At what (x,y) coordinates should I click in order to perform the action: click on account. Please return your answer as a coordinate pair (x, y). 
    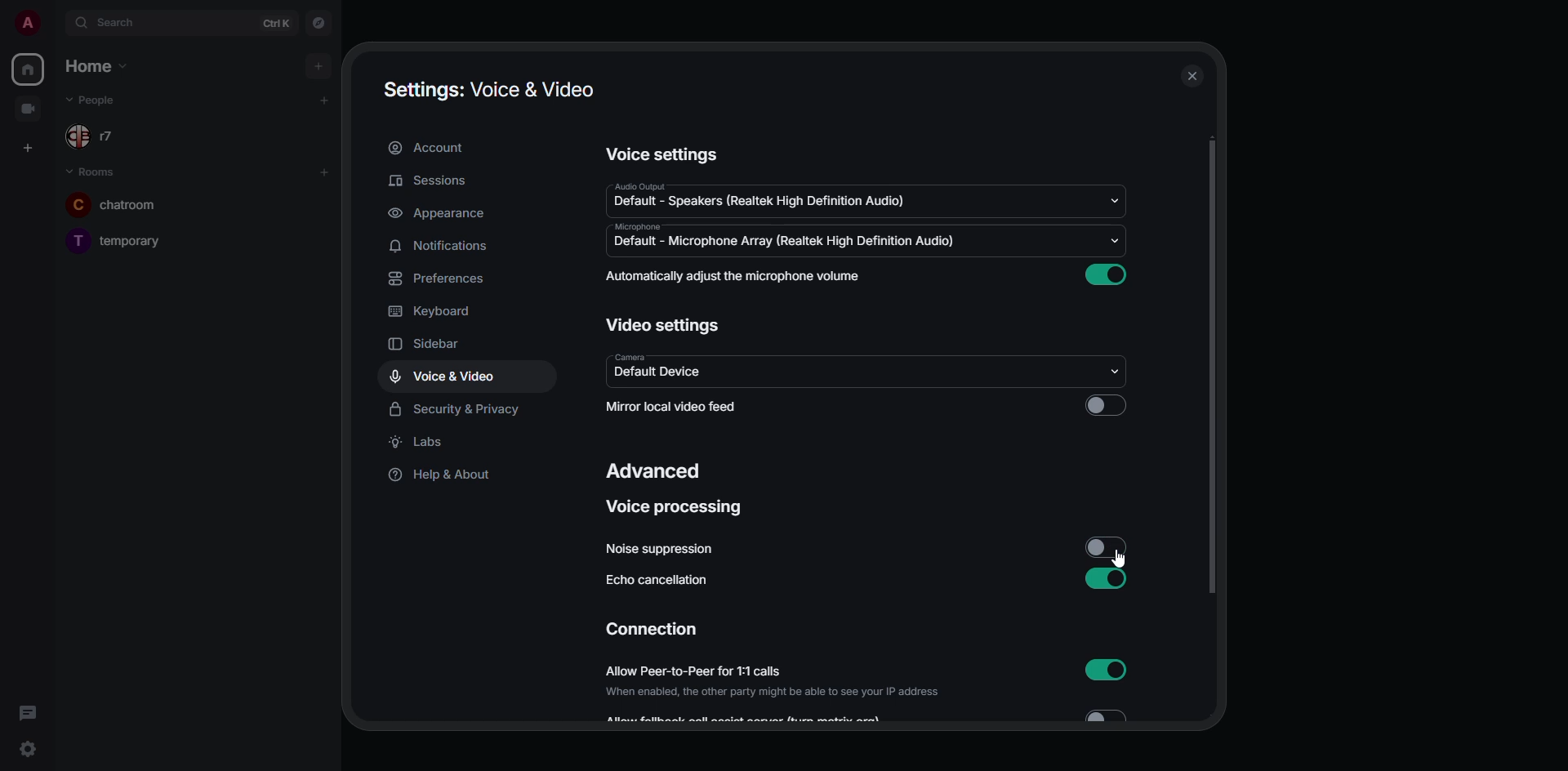
    Looking at the image, I should click on (434, 148).